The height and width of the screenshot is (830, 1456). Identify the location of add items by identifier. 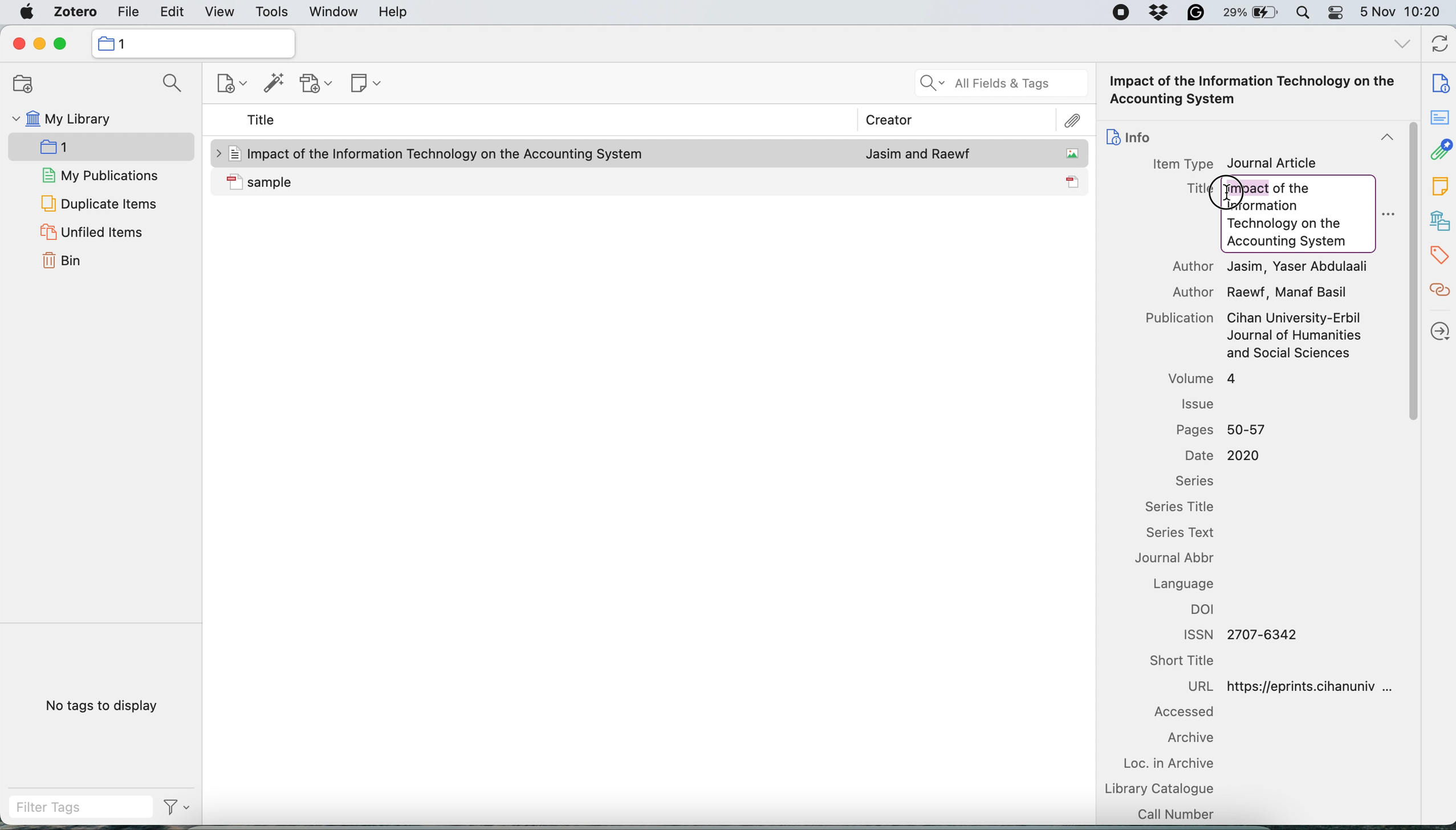
(273, 84).